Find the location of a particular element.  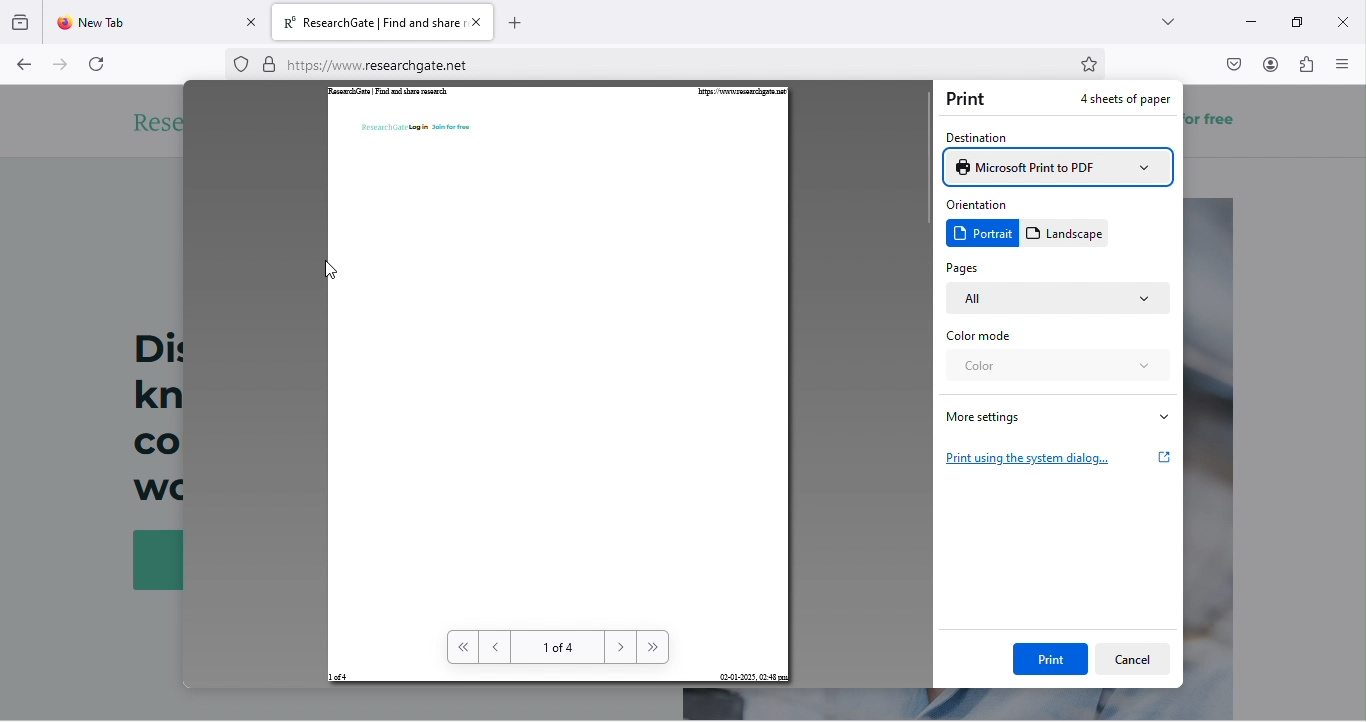

bookmark is located at coordinates (1093, 64).